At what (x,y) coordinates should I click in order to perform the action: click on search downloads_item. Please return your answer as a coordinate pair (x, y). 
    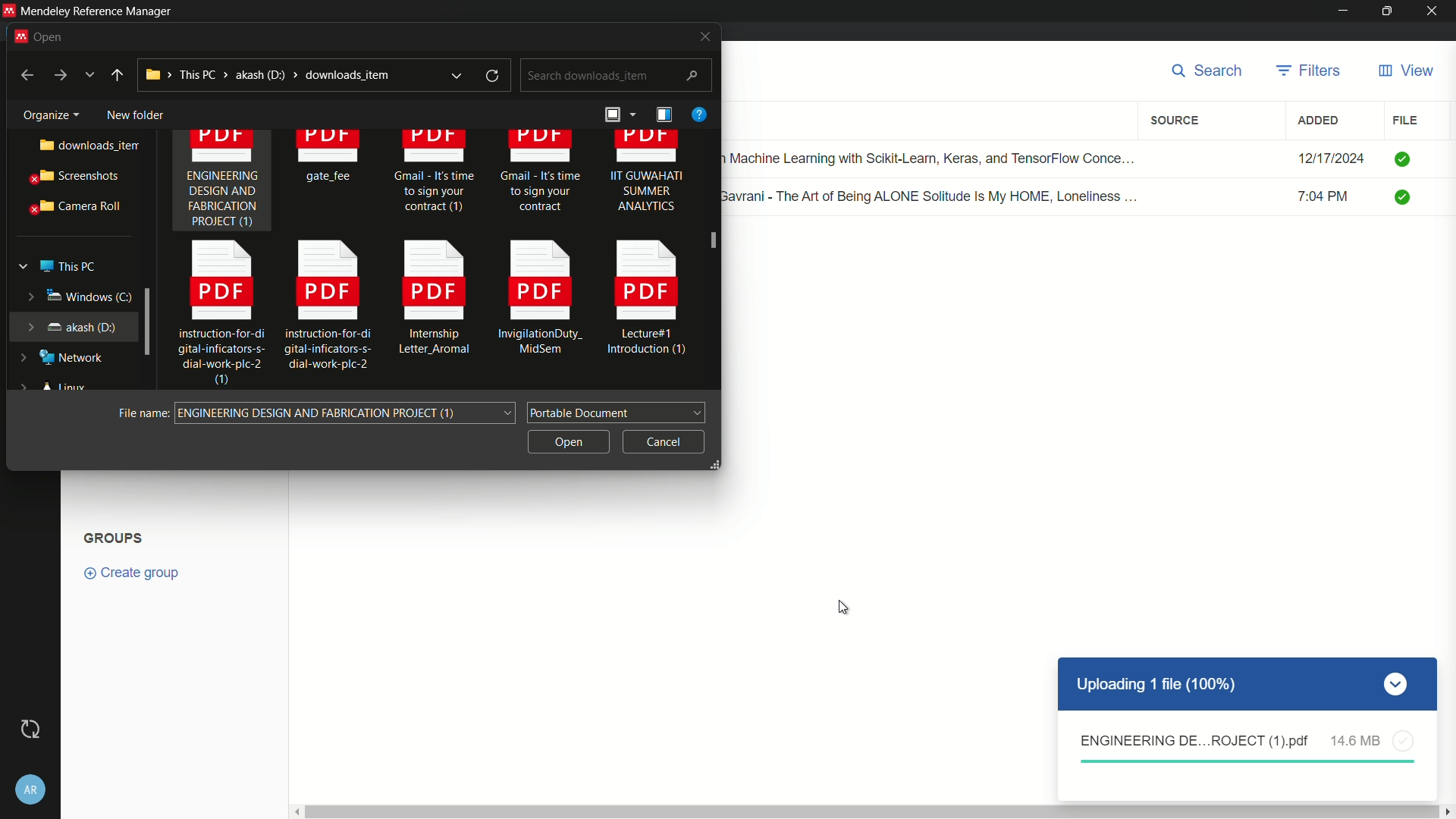
    Looking at the image, I should click on (614, 76).